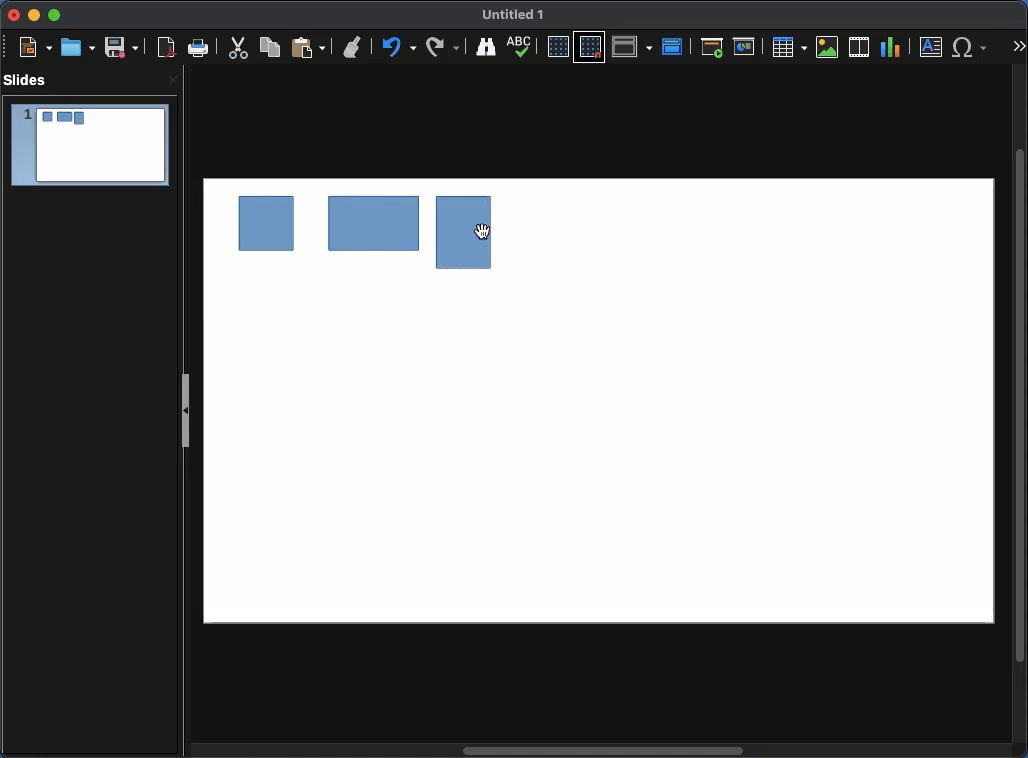  Describe the element at coordinates (711, 49) in the screenshot. I see `Start from first slide` at that location.